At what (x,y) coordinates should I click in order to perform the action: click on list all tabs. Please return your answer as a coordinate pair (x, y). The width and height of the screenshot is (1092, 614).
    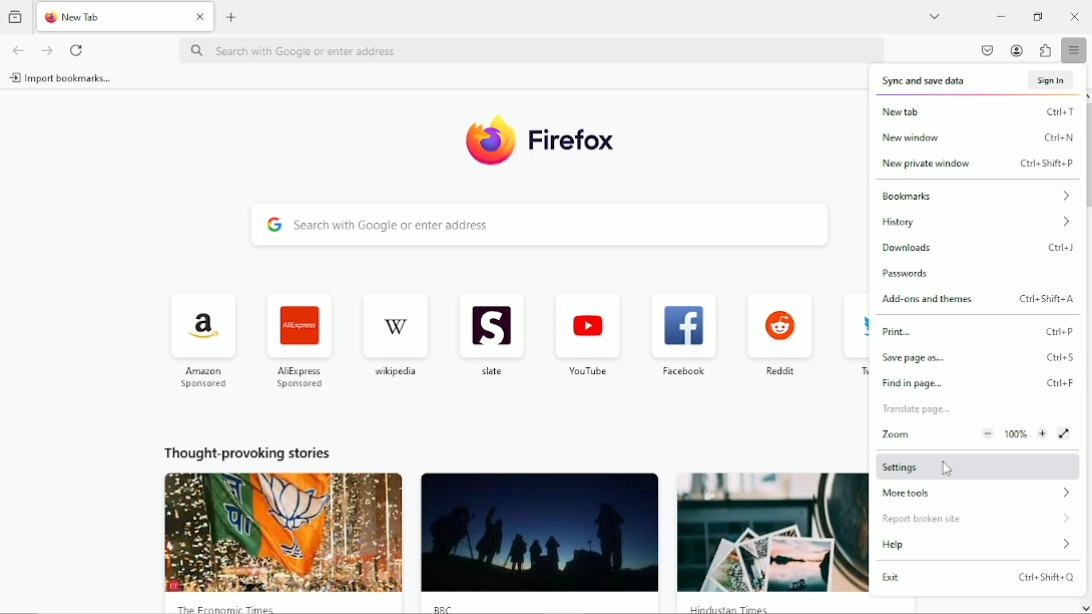
    Looking at the image, I should click on (934, 15).